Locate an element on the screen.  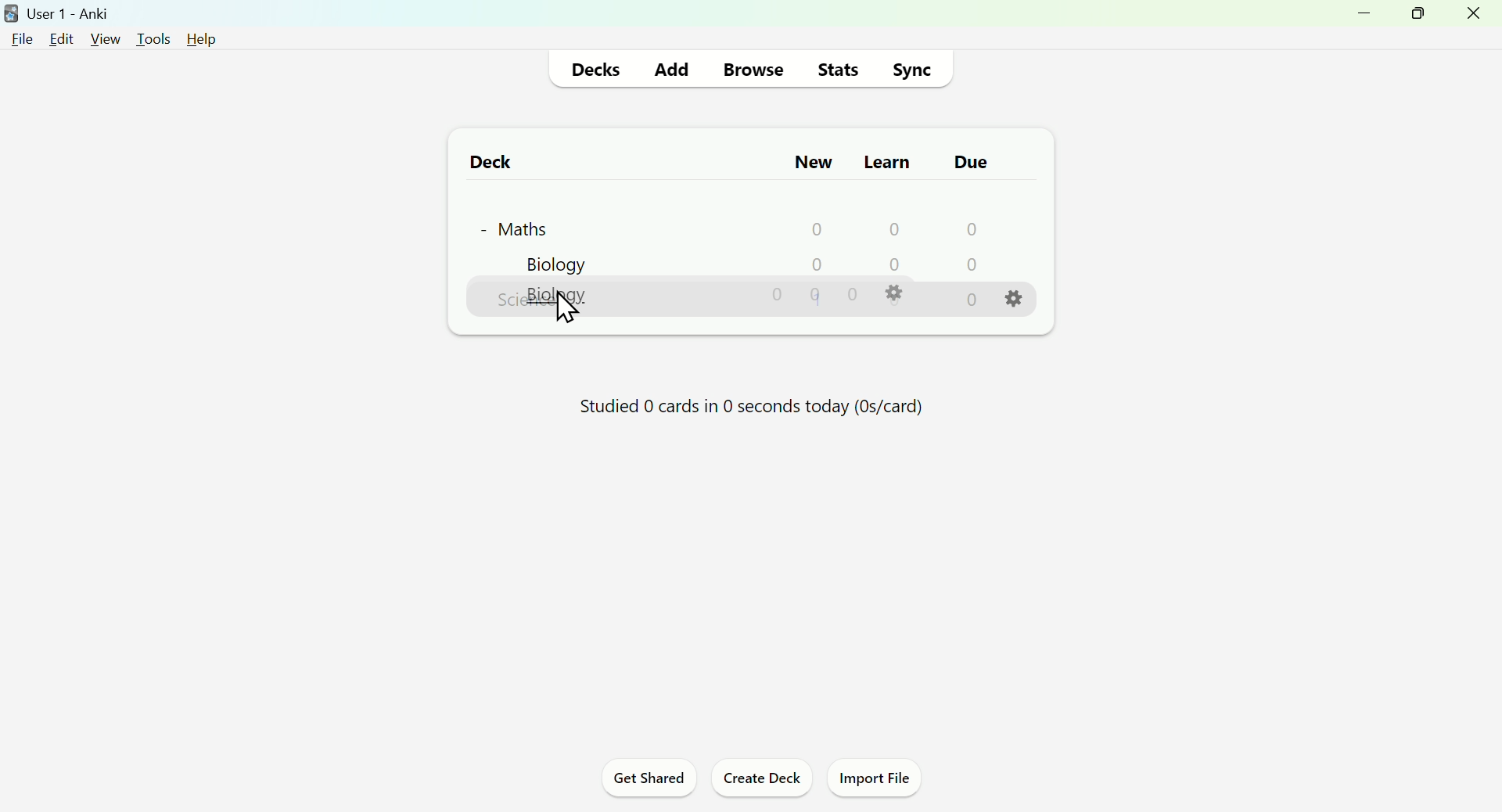
Create Deck is located at coordinates (758, 780).